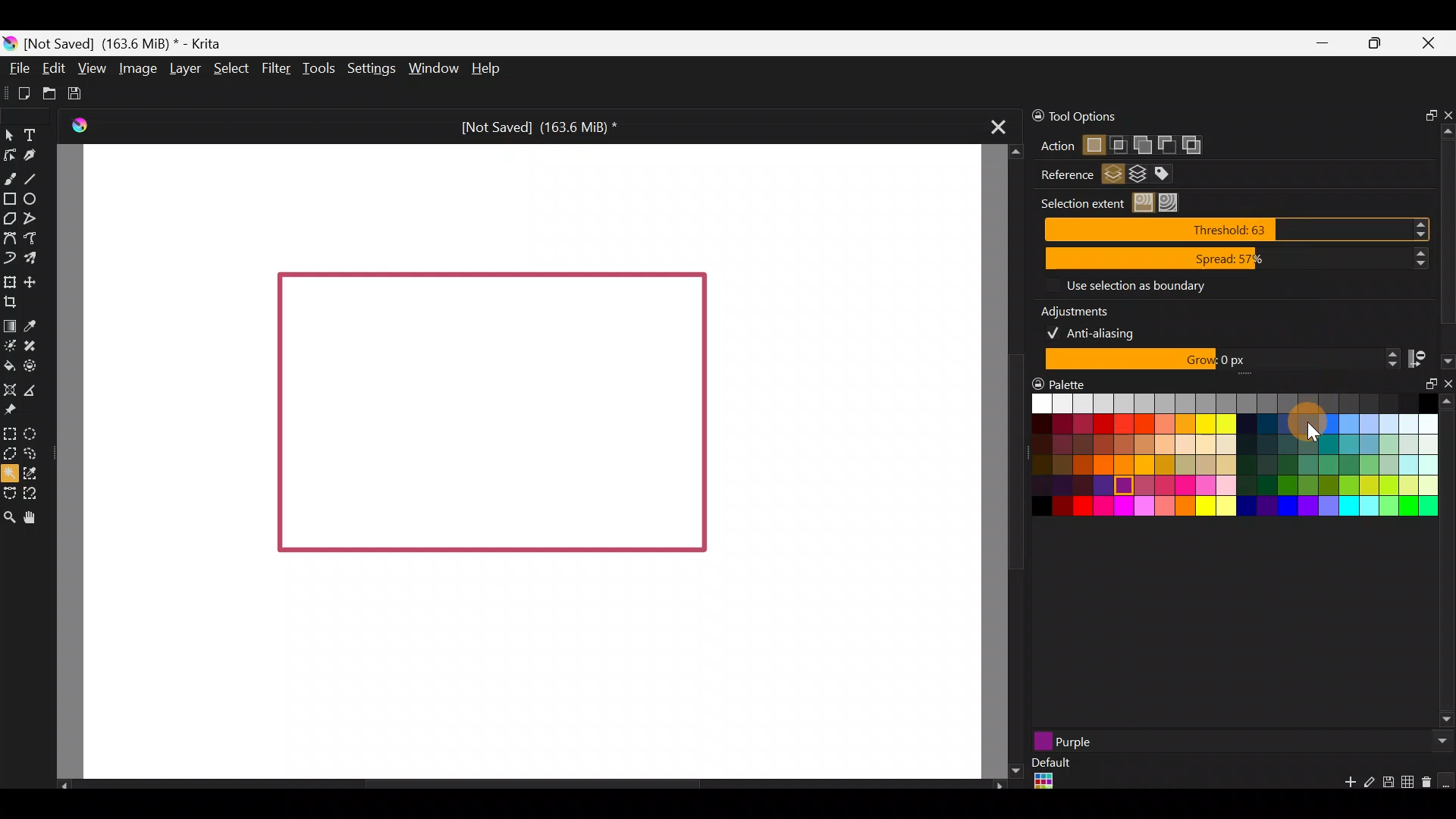 The height and width of the screenshot is (819, 1456). What do you see at coordinates (230, 68) in the screenshot?
I see `Select` at bounding box center [230, 68].